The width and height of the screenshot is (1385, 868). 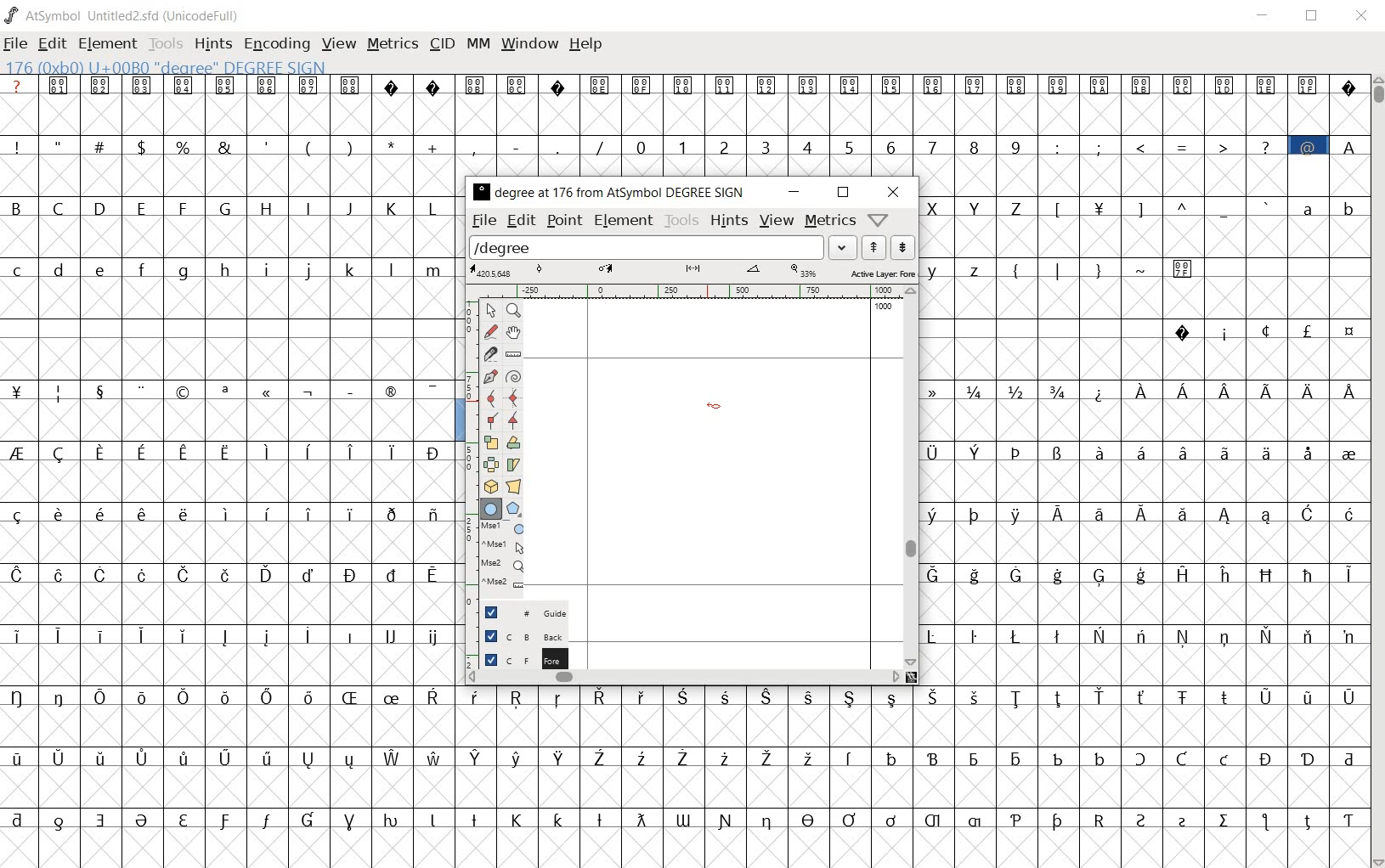 I want to click on unsupported charters, so click(x=1349, y=84).